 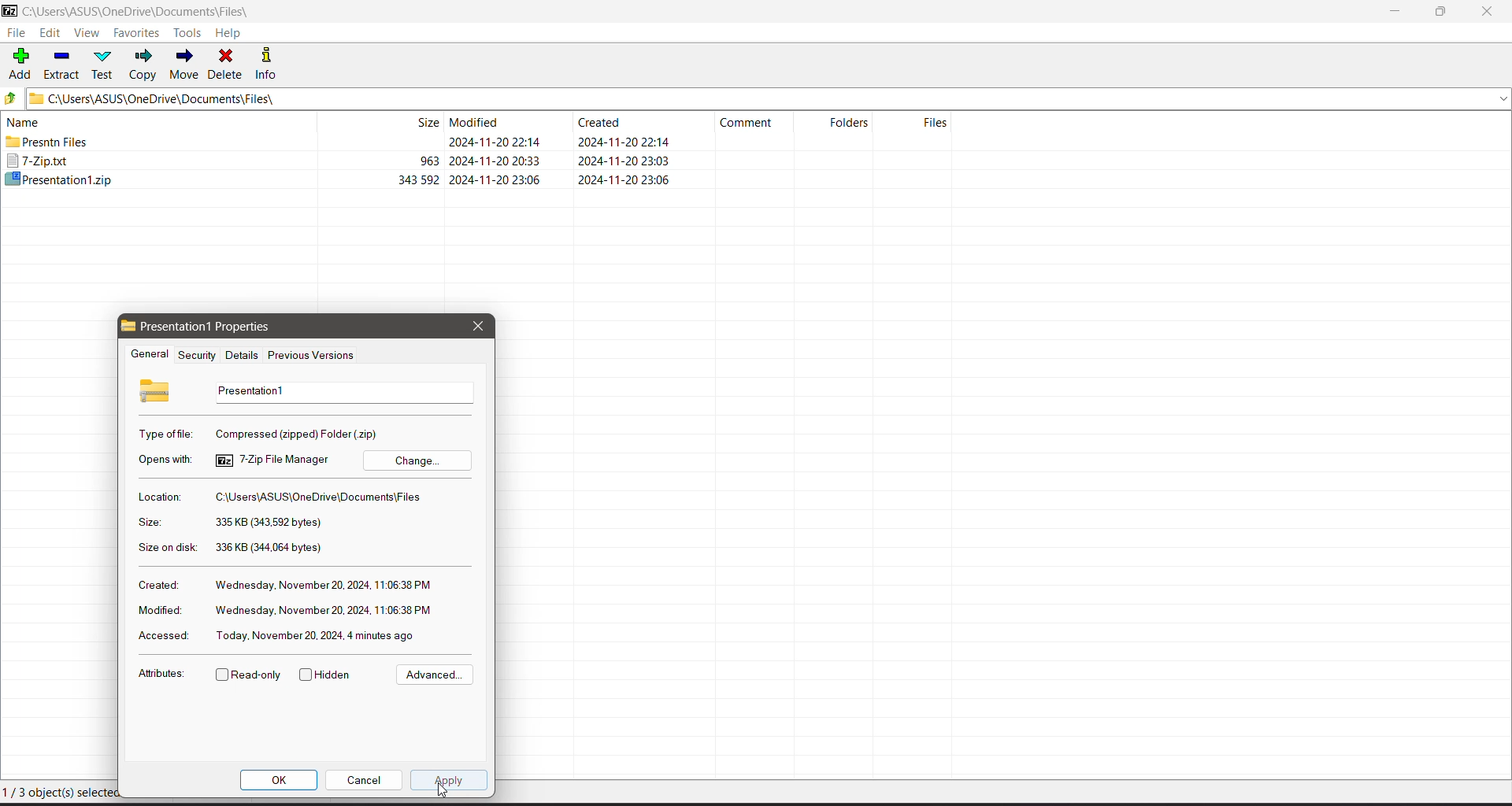 I want to click on Help, so click(x=228, y=33).